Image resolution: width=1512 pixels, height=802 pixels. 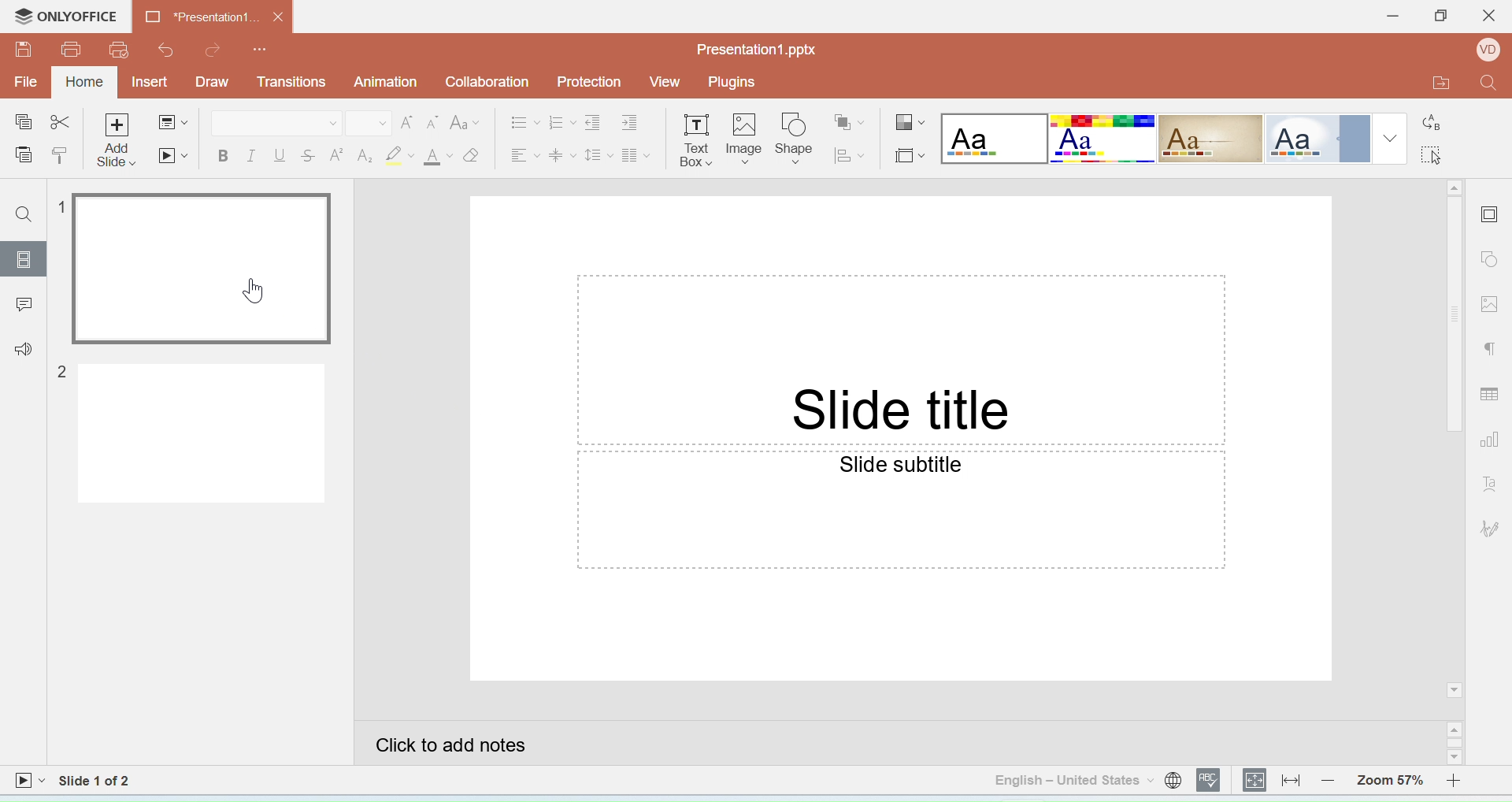 I want to click on Copy, so click(x=22, y=123).